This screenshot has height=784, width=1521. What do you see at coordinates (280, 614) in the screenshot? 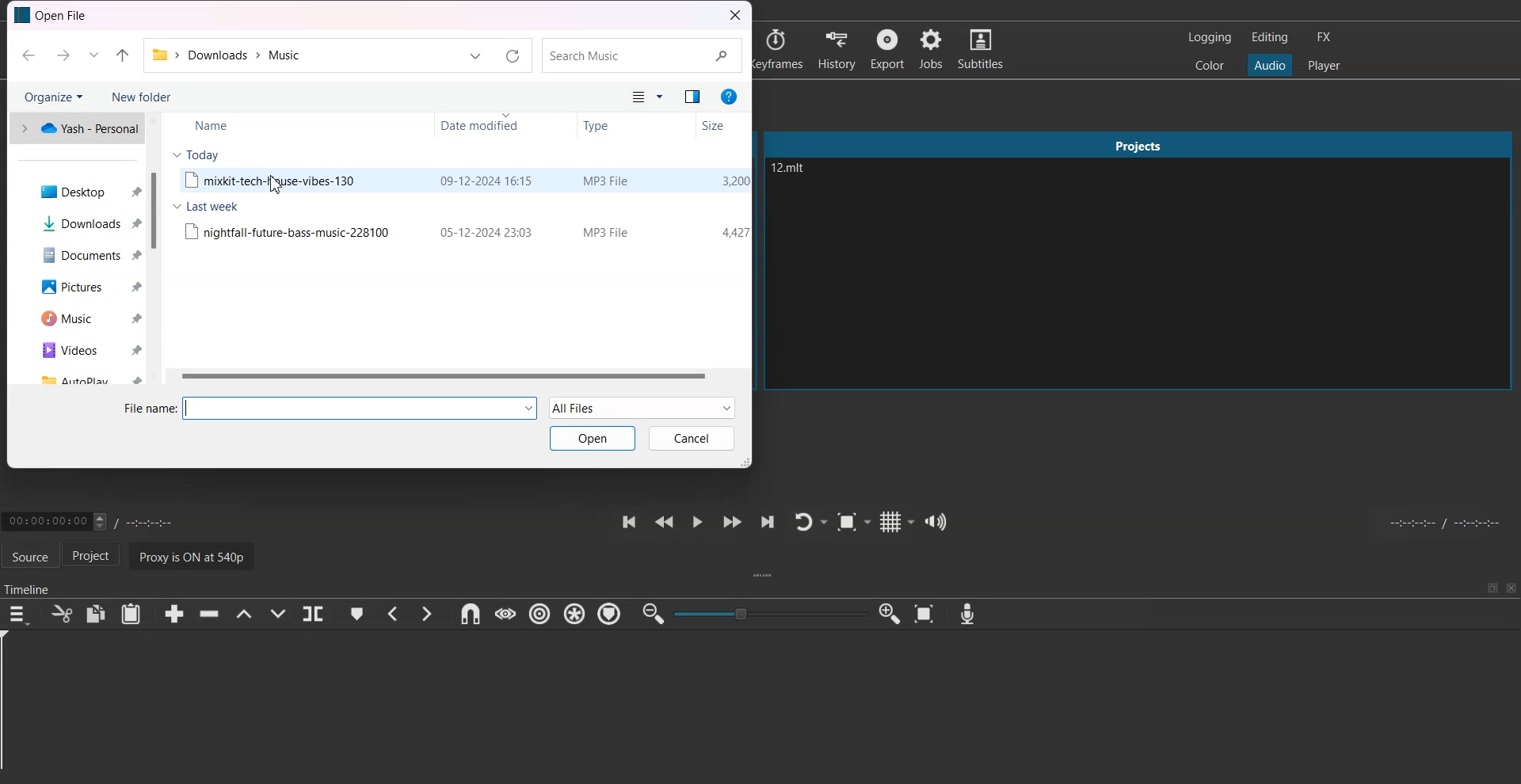
I see `Overwrite` at bounding box center [280, 614].